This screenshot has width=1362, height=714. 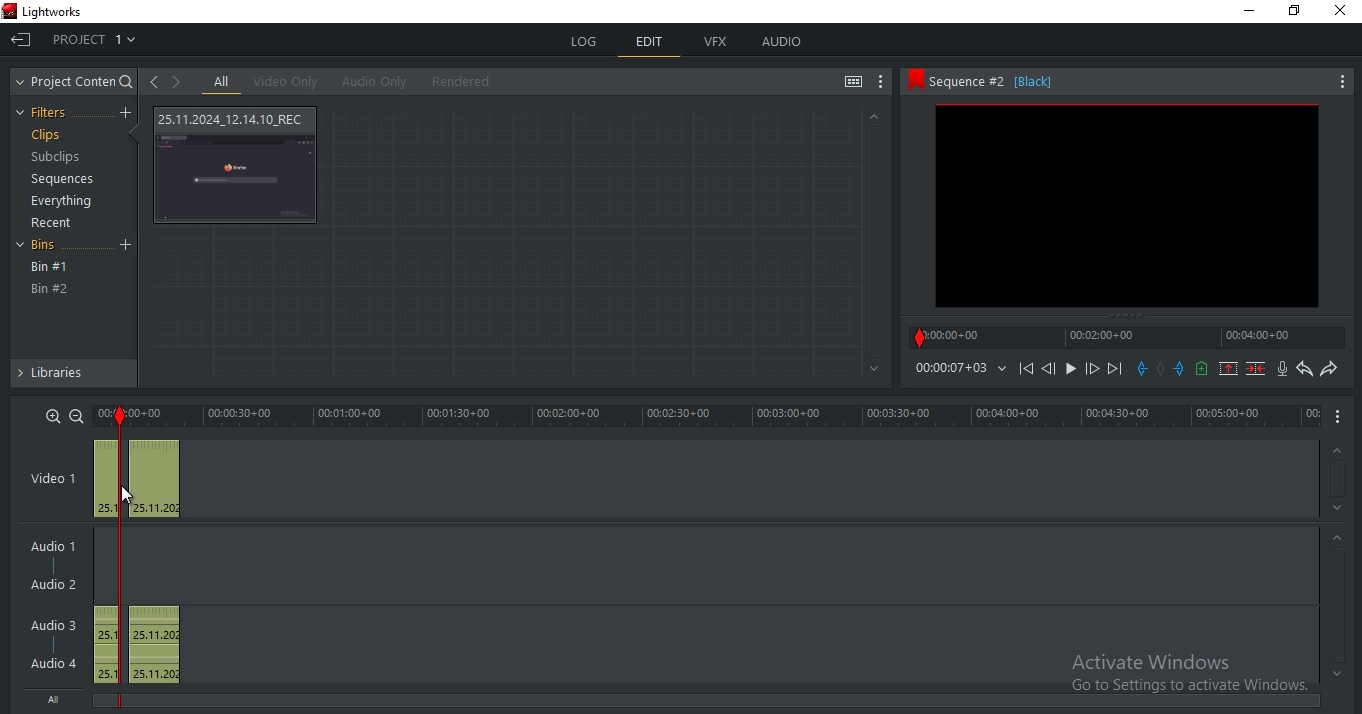 I want to click on timeline, so click(x=1130, y=337).